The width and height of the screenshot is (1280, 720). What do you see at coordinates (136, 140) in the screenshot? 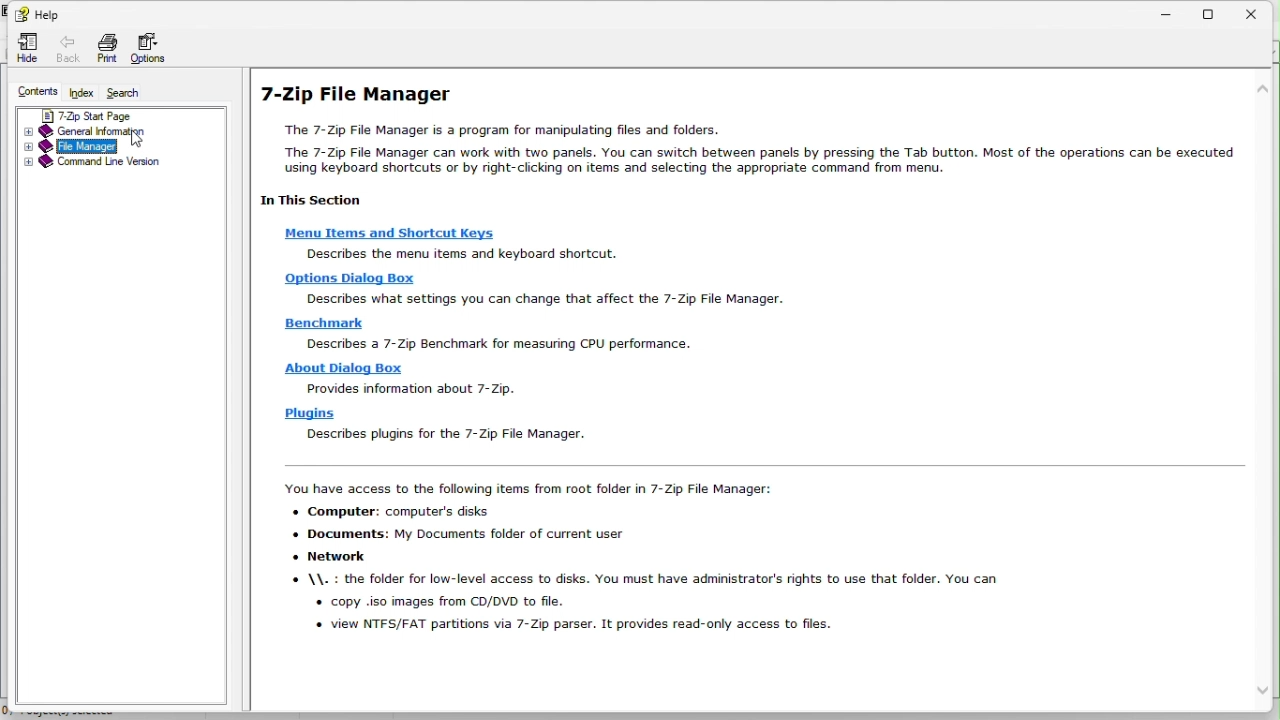
I see `cursor` at bounding box center [136, 140].